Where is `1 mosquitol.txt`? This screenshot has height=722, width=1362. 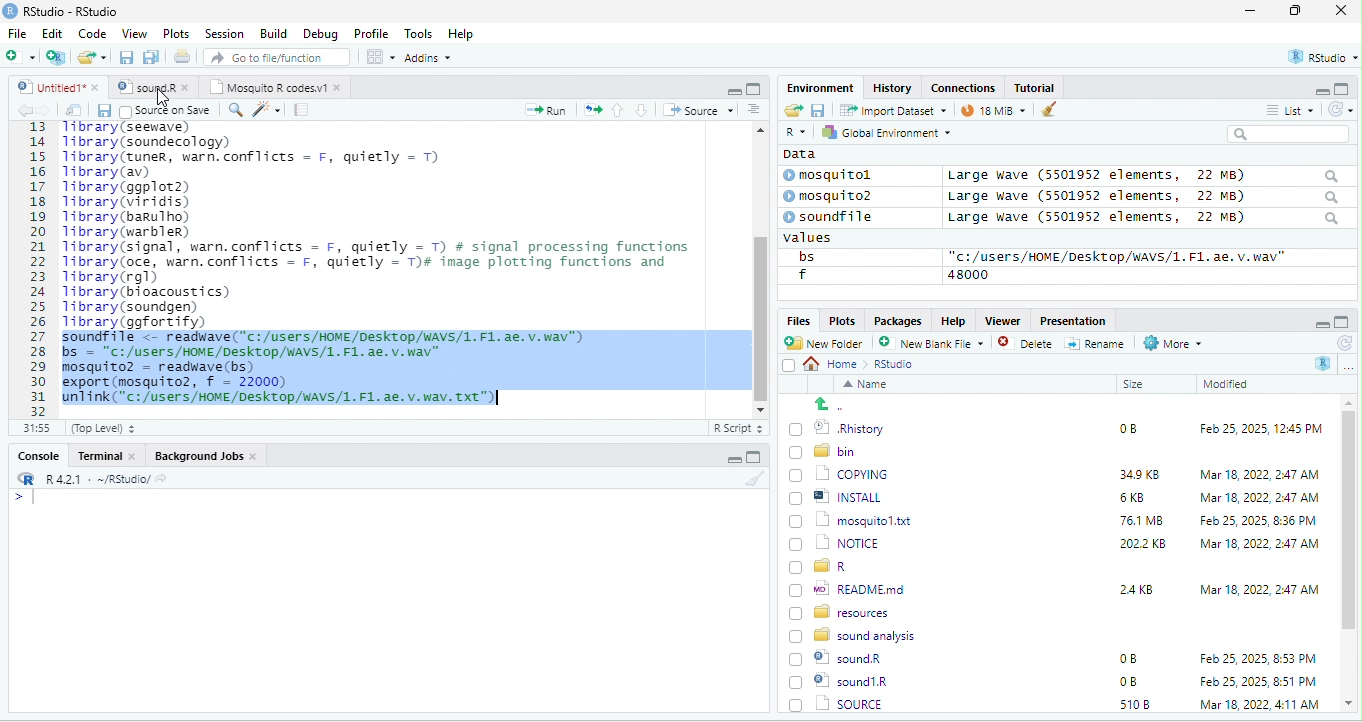
1 mosquitol.txt is located at coordinates (844, 519).